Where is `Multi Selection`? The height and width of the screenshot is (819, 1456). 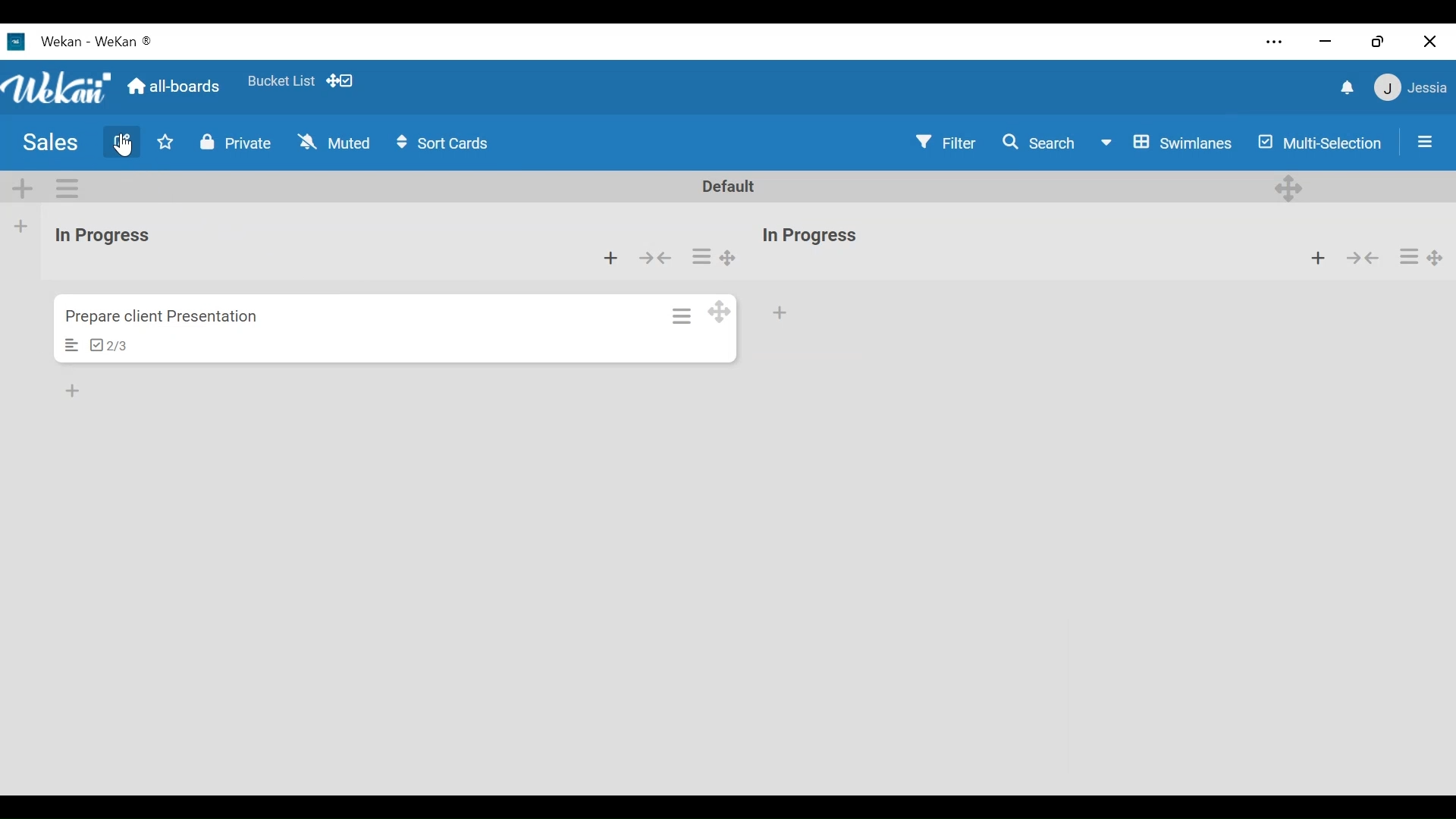 Multi Selection is located at coordinates (1321, 145).